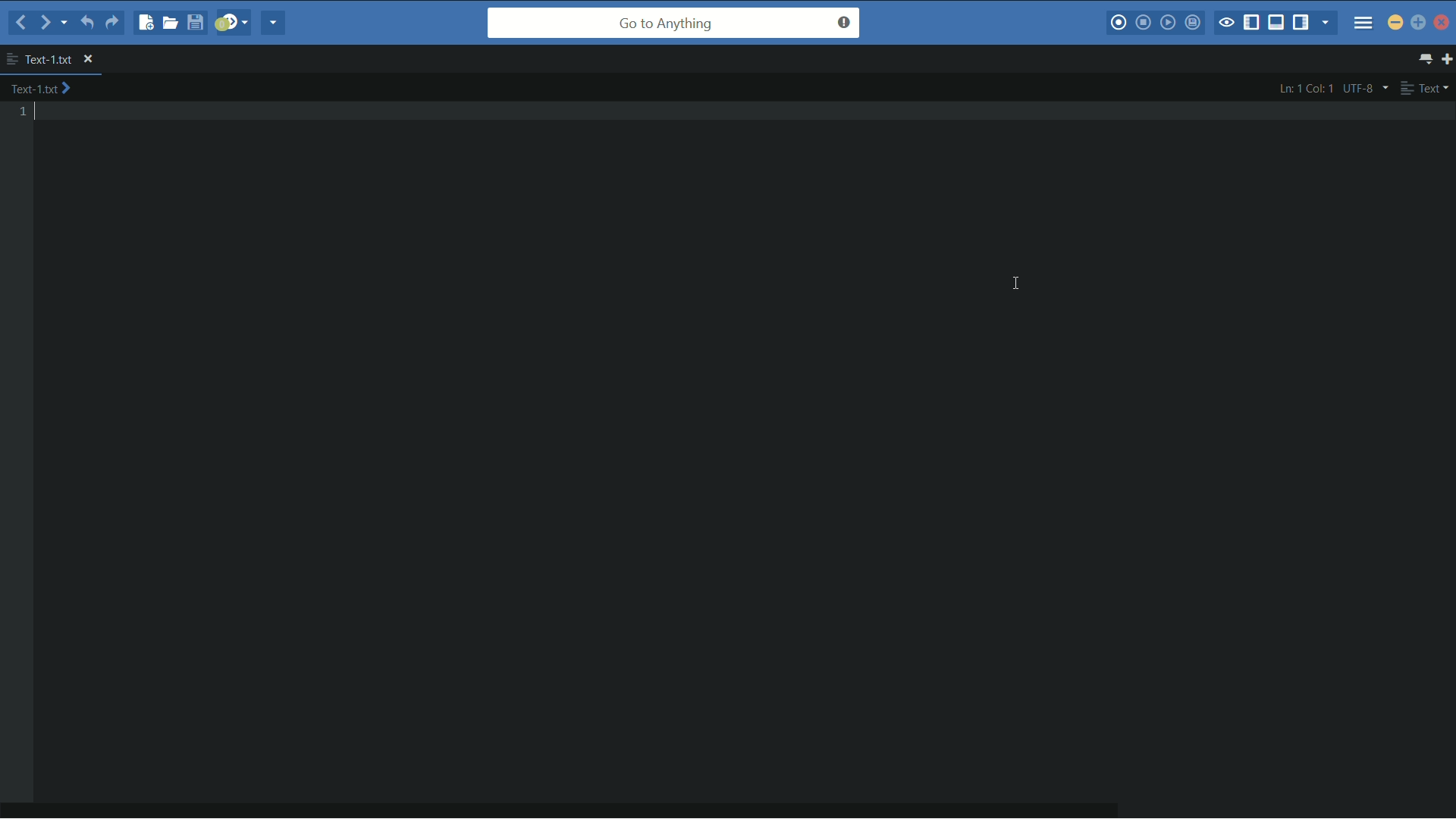 The height and width of the screenshot is (819, 1456). Describe the element at coordinates (15, 112) in the screenshot. I see `line number` at that location.